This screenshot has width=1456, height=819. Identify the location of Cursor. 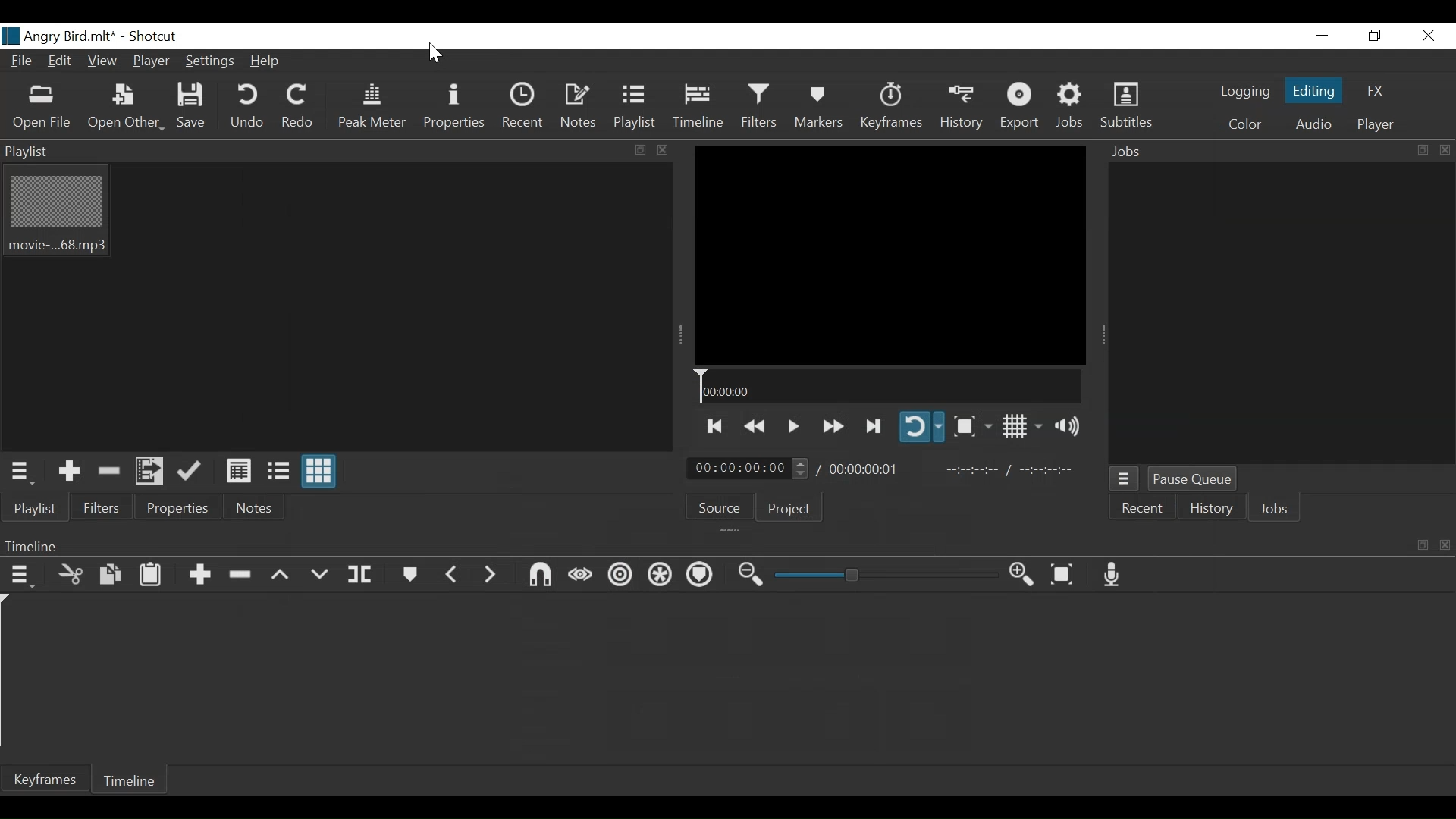
(435, 55).